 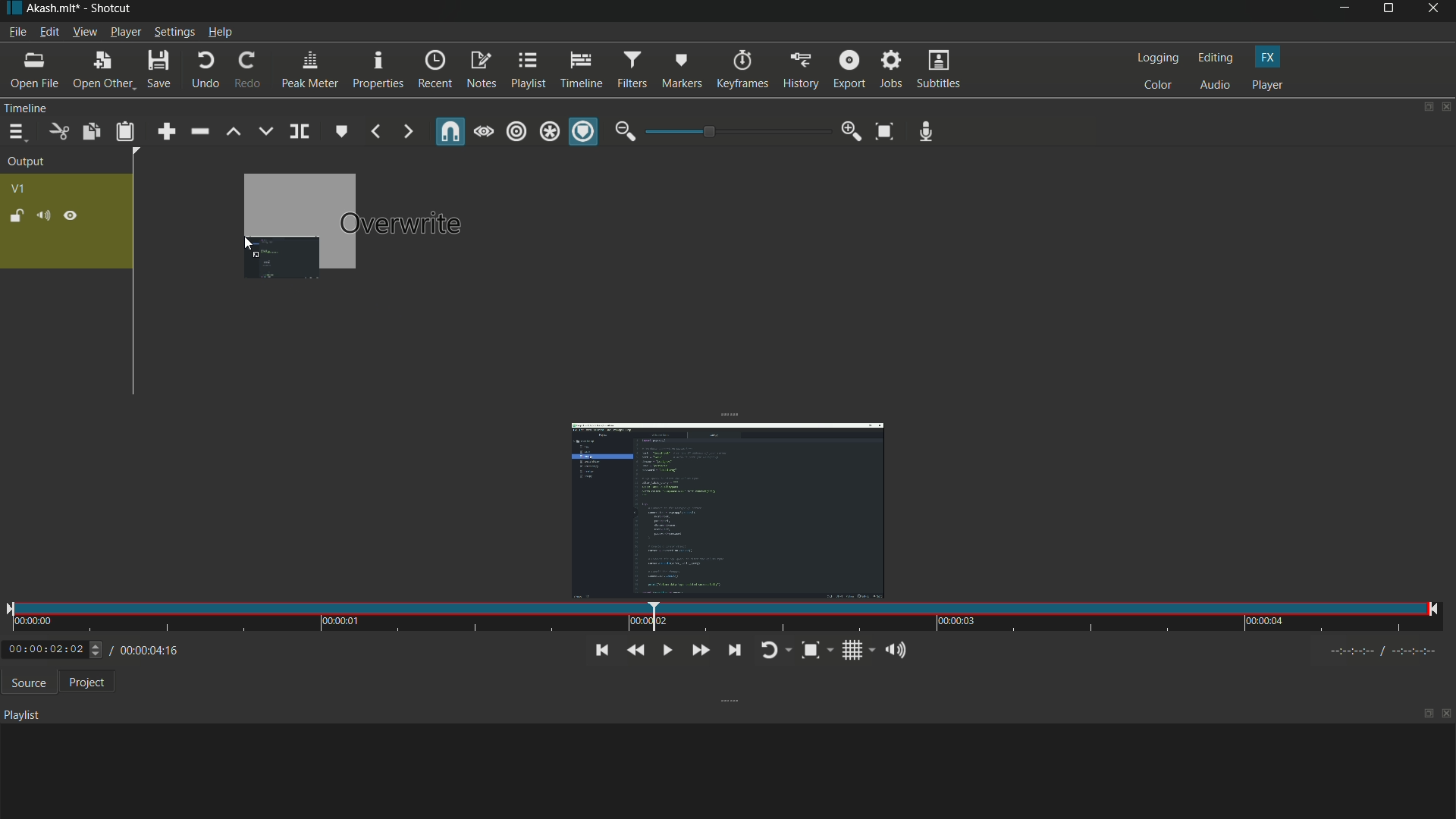 What do you see at coordinates (857, 650) in the screenshot?
I see `toggle grid` at bounding box center [857, 650].